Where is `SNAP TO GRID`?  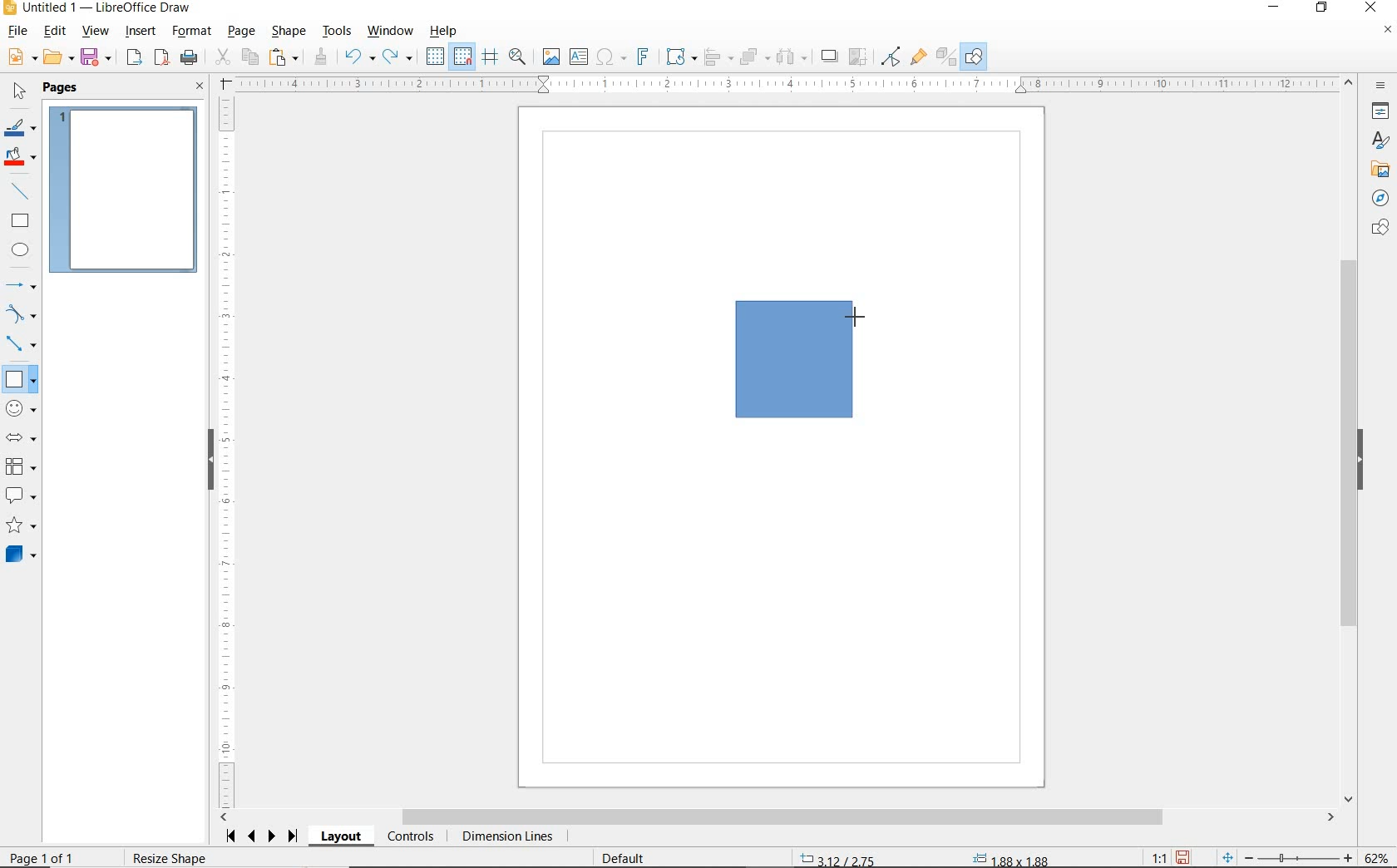
SNAP TO GRID is located at coordinates (463, 57).